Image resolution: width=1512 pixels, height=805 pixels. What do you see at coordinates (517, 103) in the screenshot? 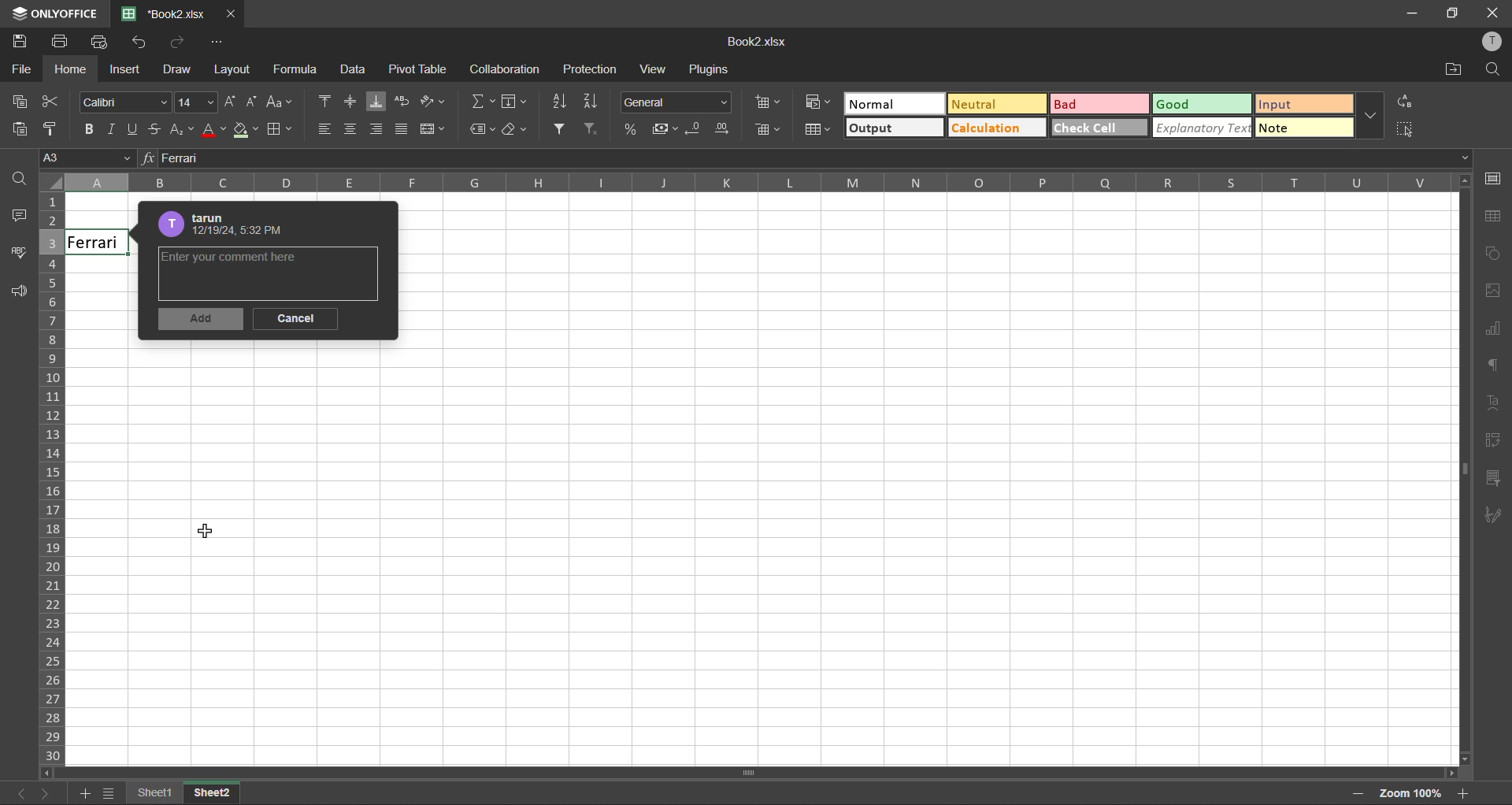
I see `fields` at bounding box center [517, 103].